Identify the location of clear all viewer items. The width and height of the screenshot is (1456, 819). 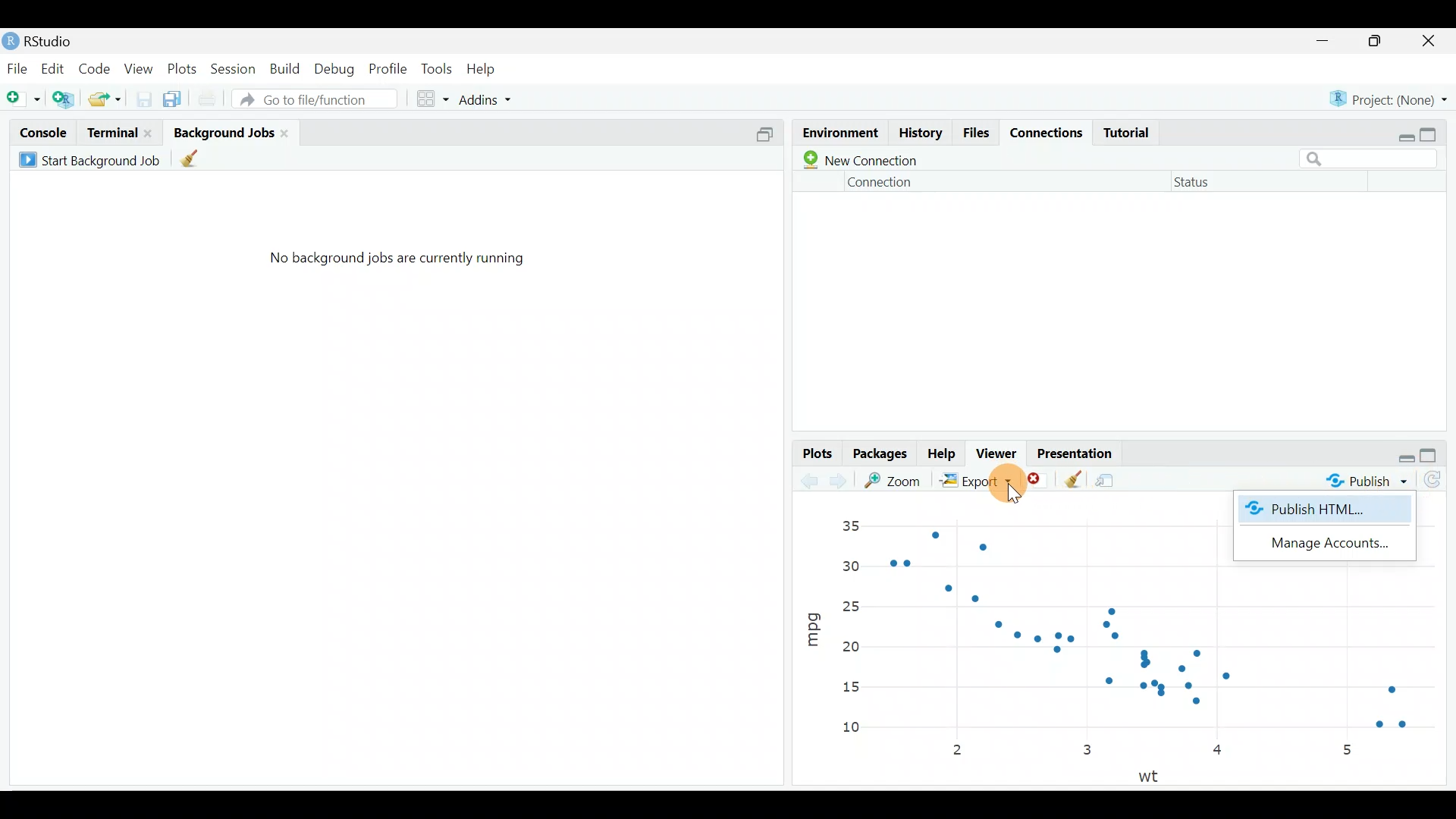
(1073, 477).